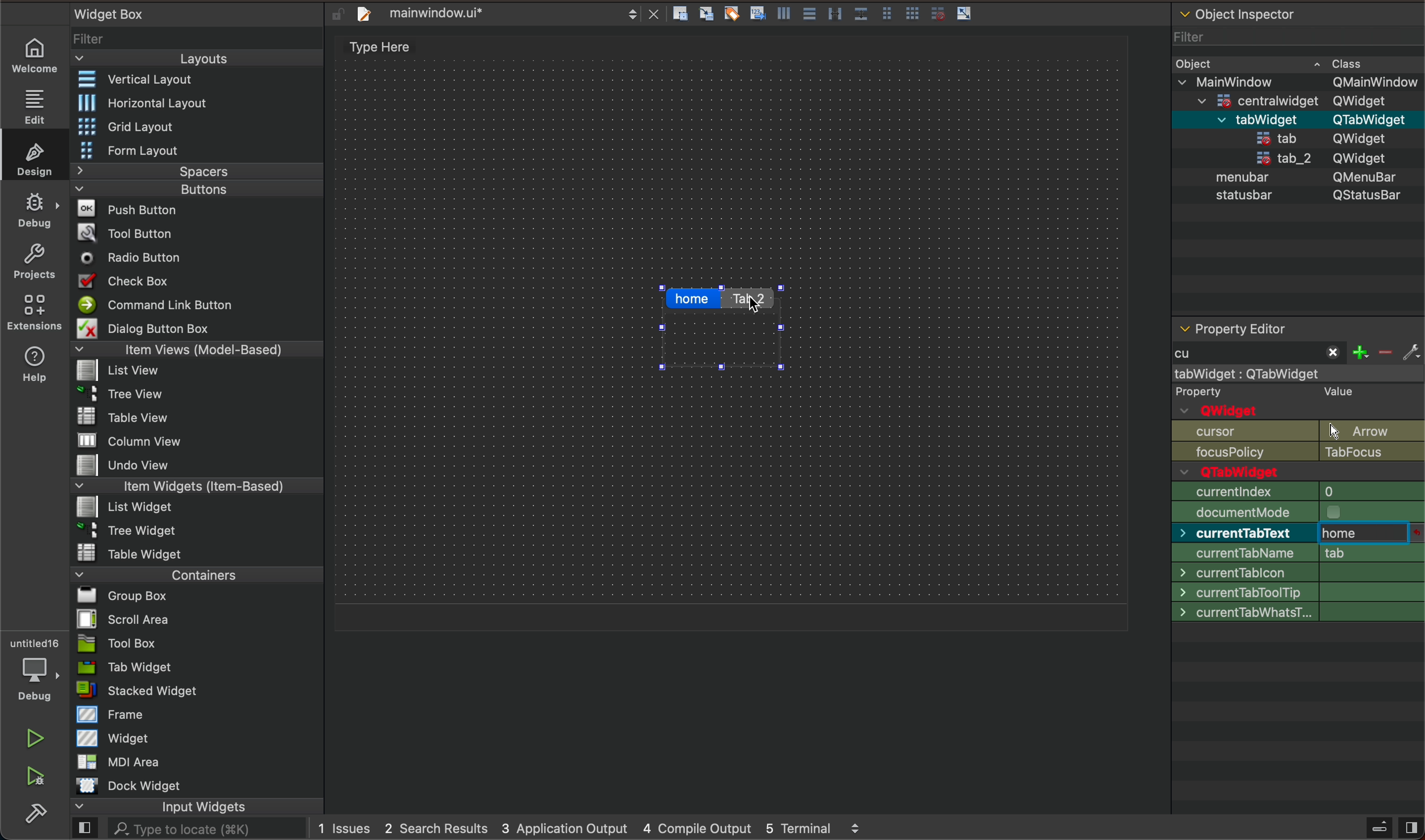 This screenshot has height=840, width=1425. I want to click on  Form Layout, so click(131, 151).